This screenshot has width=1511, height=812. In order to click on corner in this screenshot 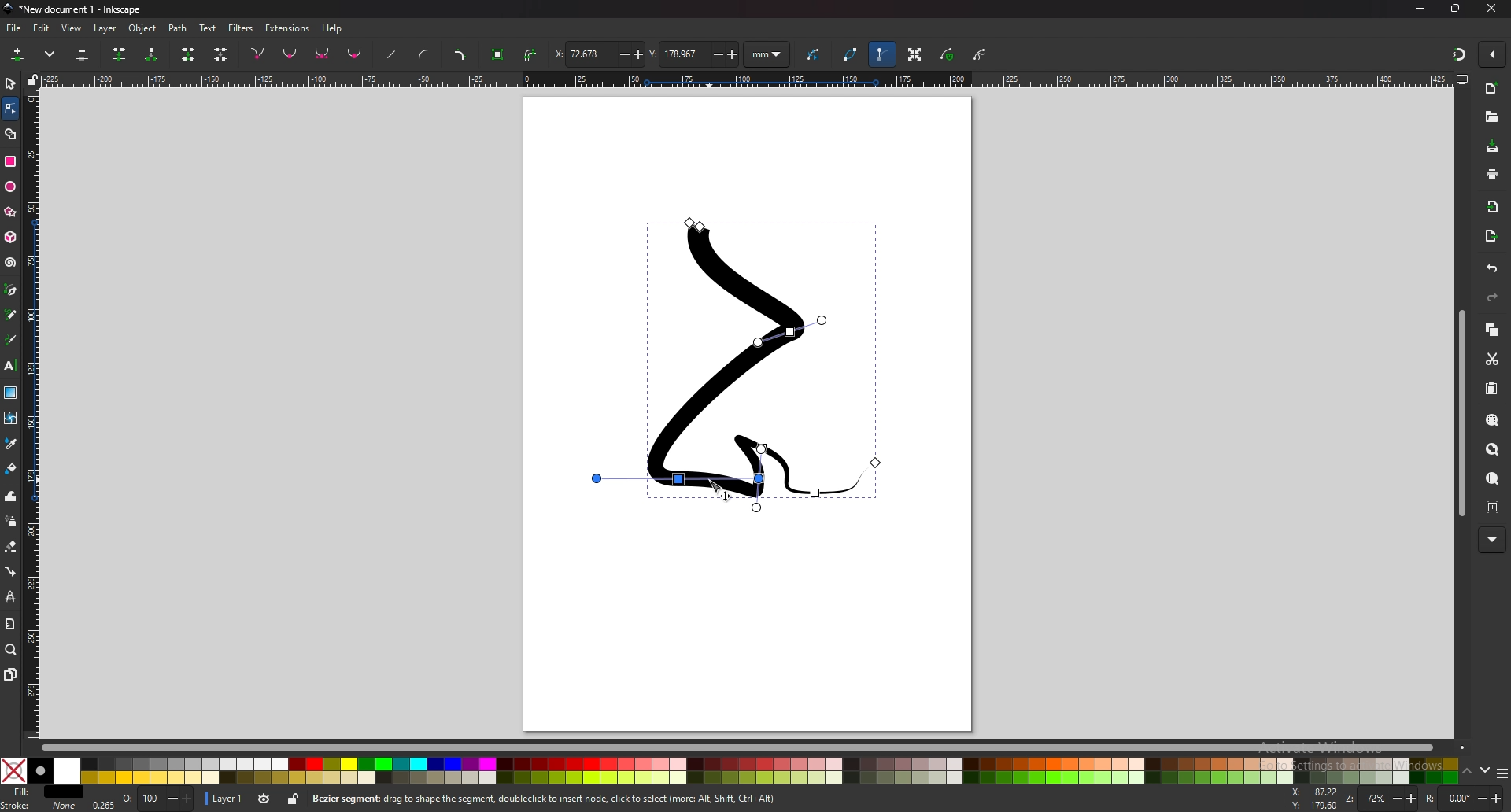, I will do `click(258, 54)`.